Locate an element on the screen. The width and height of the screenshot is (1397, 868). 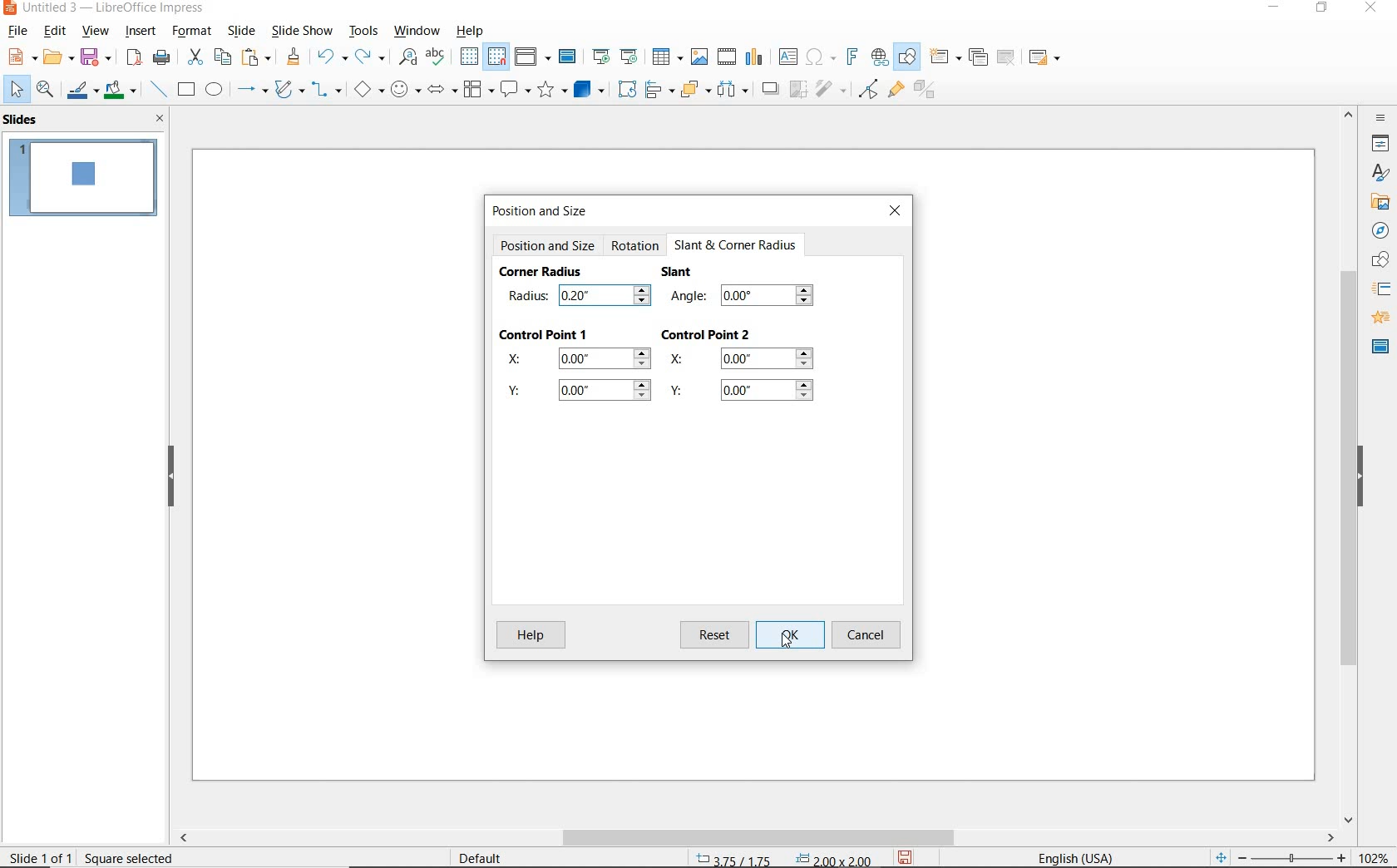
zoom out or zoom in is located at coordinates (1281, 856).